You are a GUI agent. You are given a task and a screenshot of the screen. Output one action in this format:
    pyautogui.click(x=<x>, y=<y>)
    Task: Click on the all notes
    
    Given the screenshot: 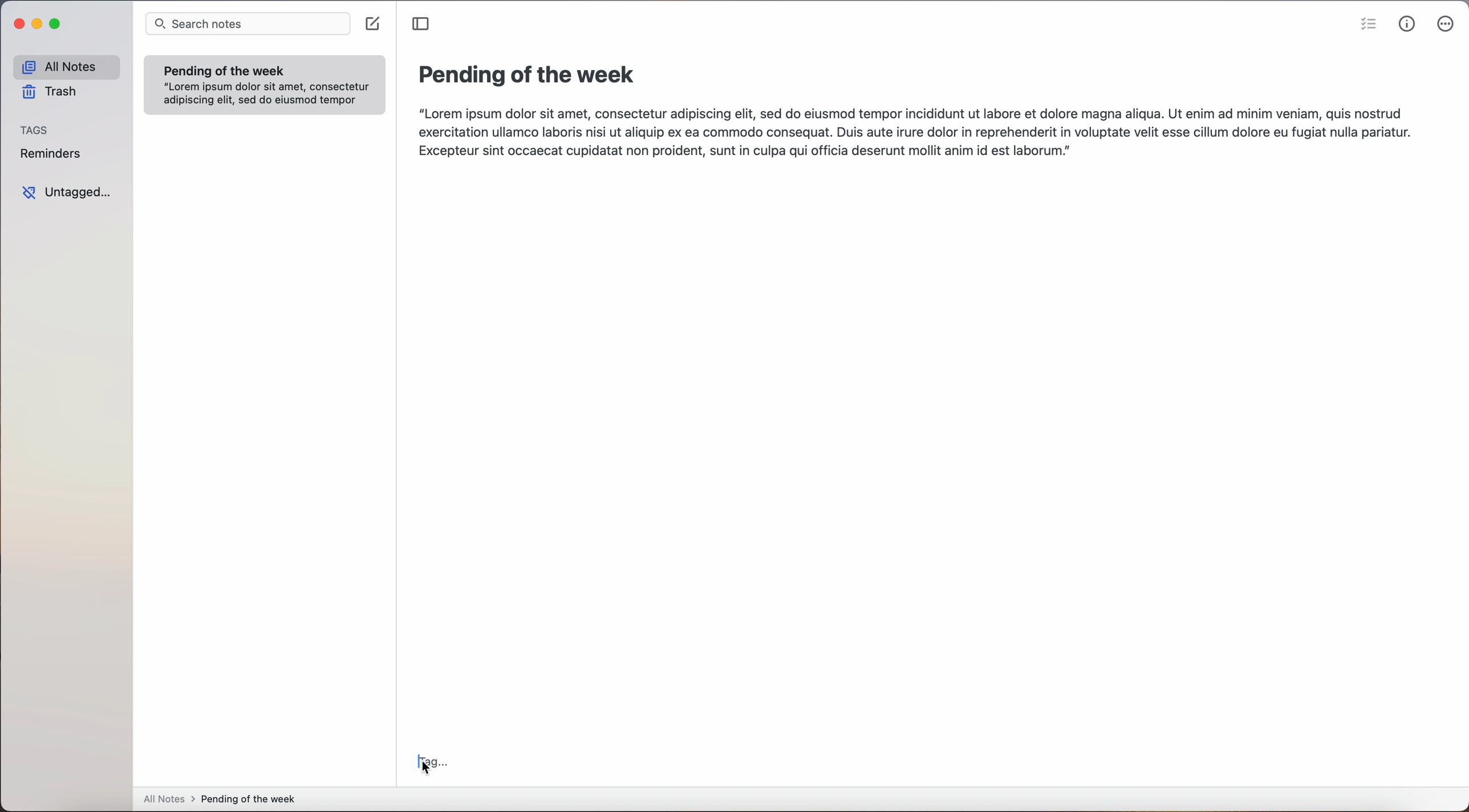 What is the action you would take?
    pyautogui.click(x=66, y=66)
    